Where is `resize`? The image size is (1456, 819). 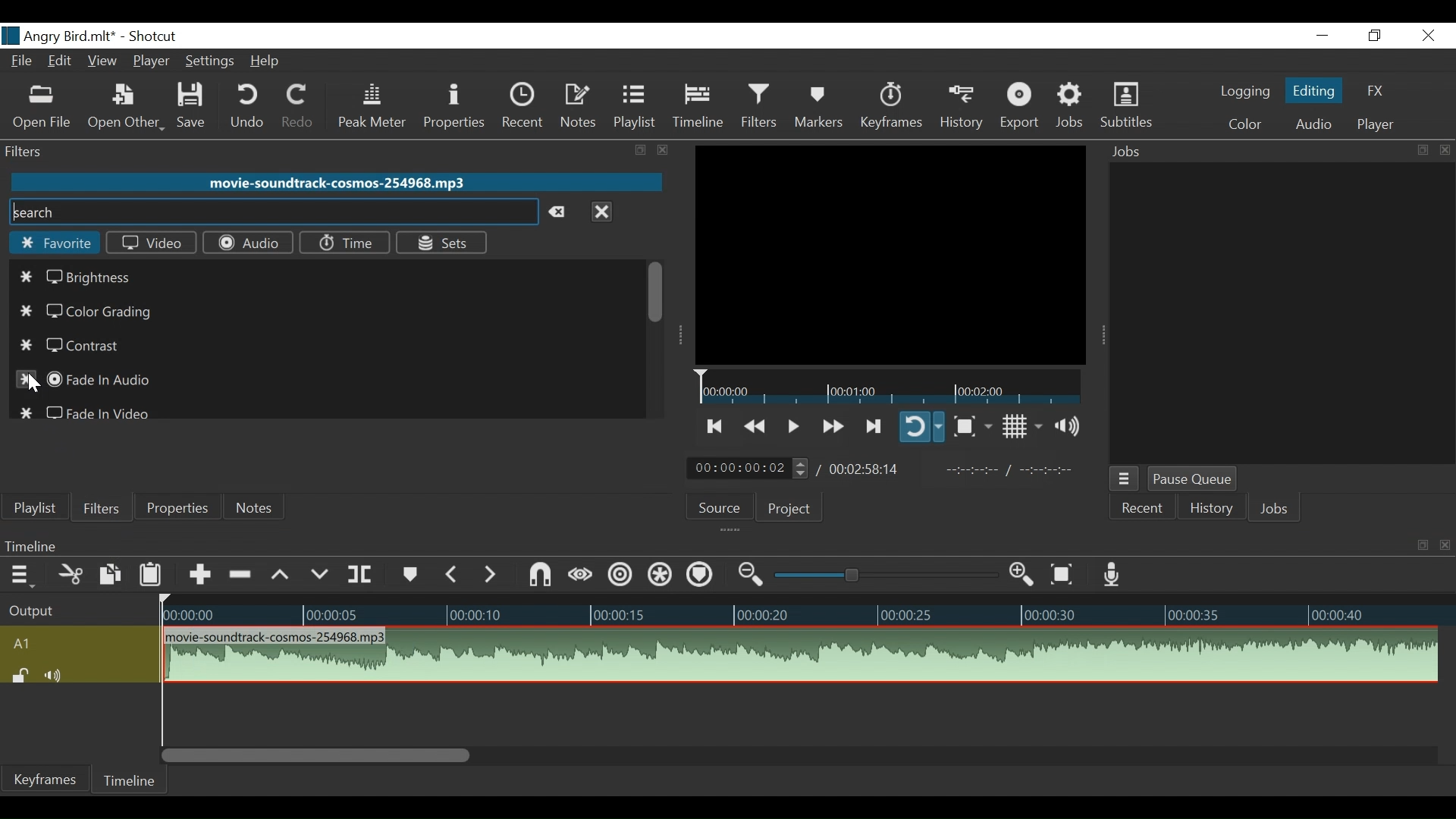 resize is located at coordinates (639, 150).